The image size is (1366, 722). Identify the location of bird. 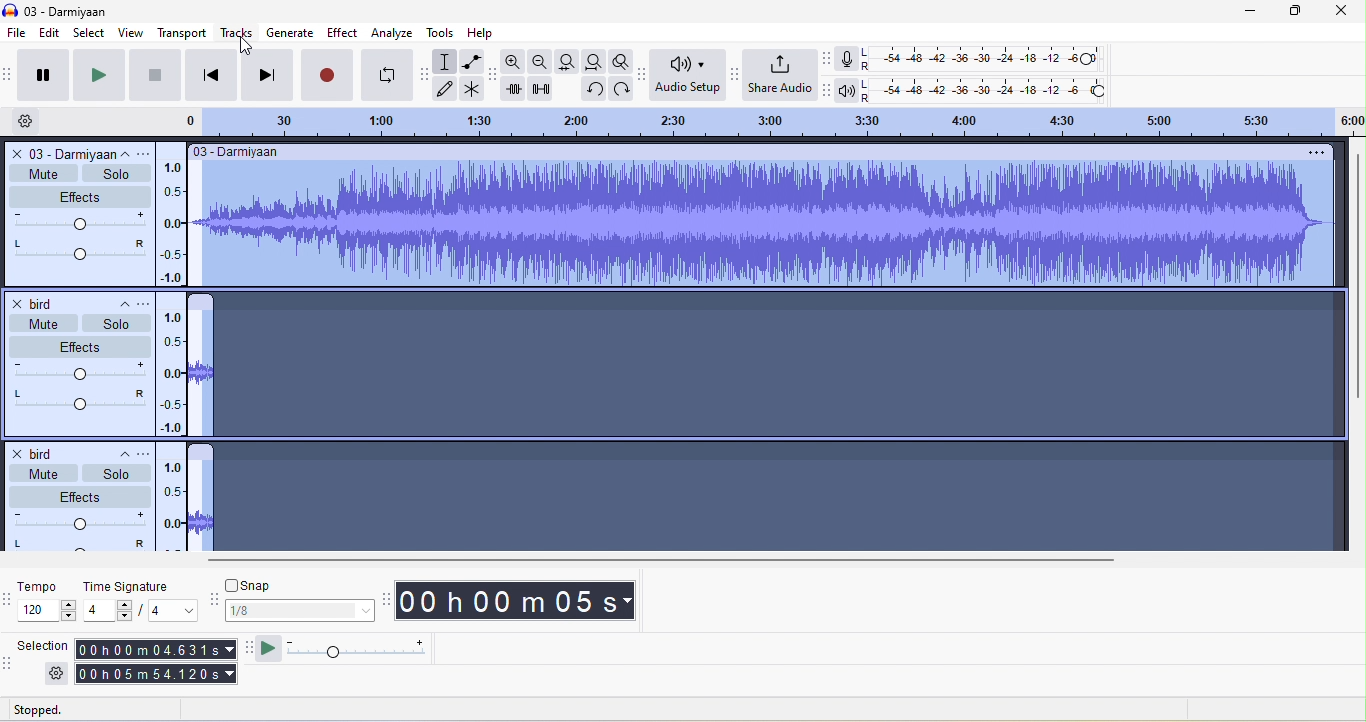
(38, 303).